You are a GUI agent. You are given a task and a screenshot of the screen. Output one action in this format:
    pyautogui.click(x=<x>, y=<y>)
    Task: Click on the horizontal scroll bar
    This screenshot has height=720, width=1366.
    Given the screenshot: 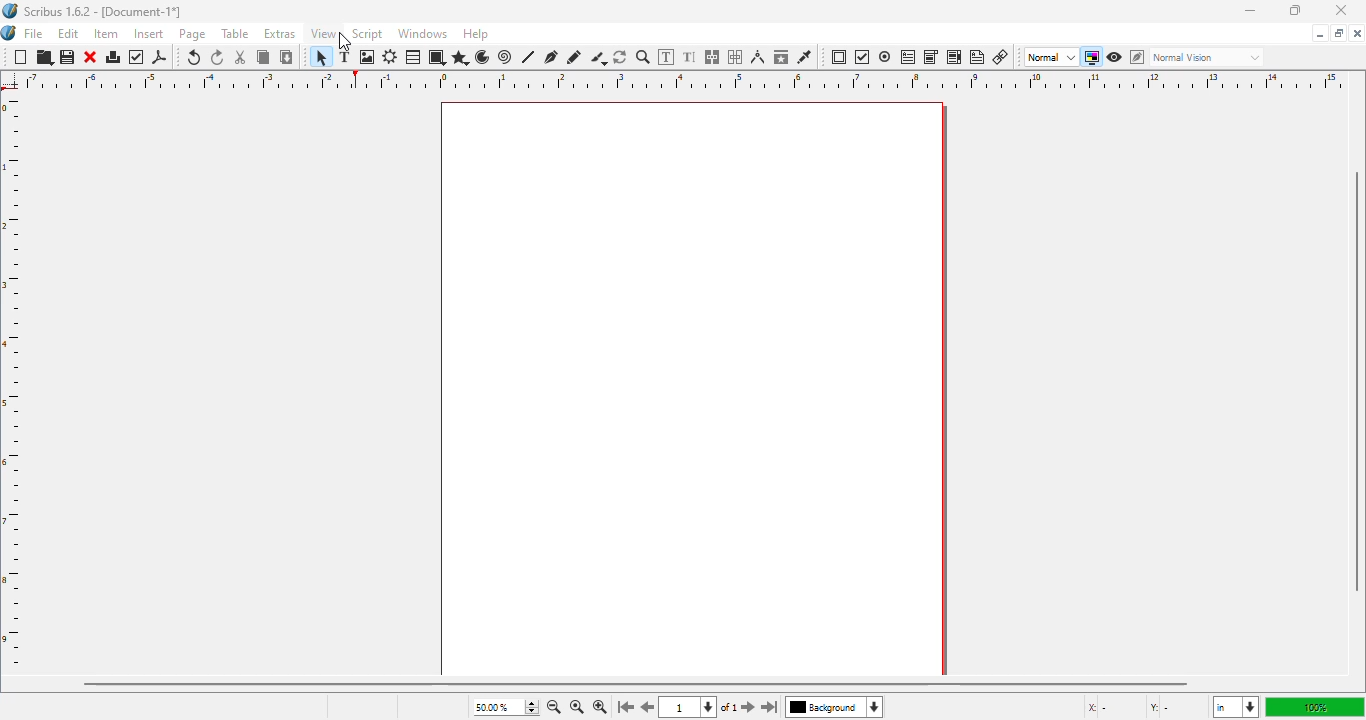 What is the action you would take?
    pyautogui.click(x=635, y=683)
    